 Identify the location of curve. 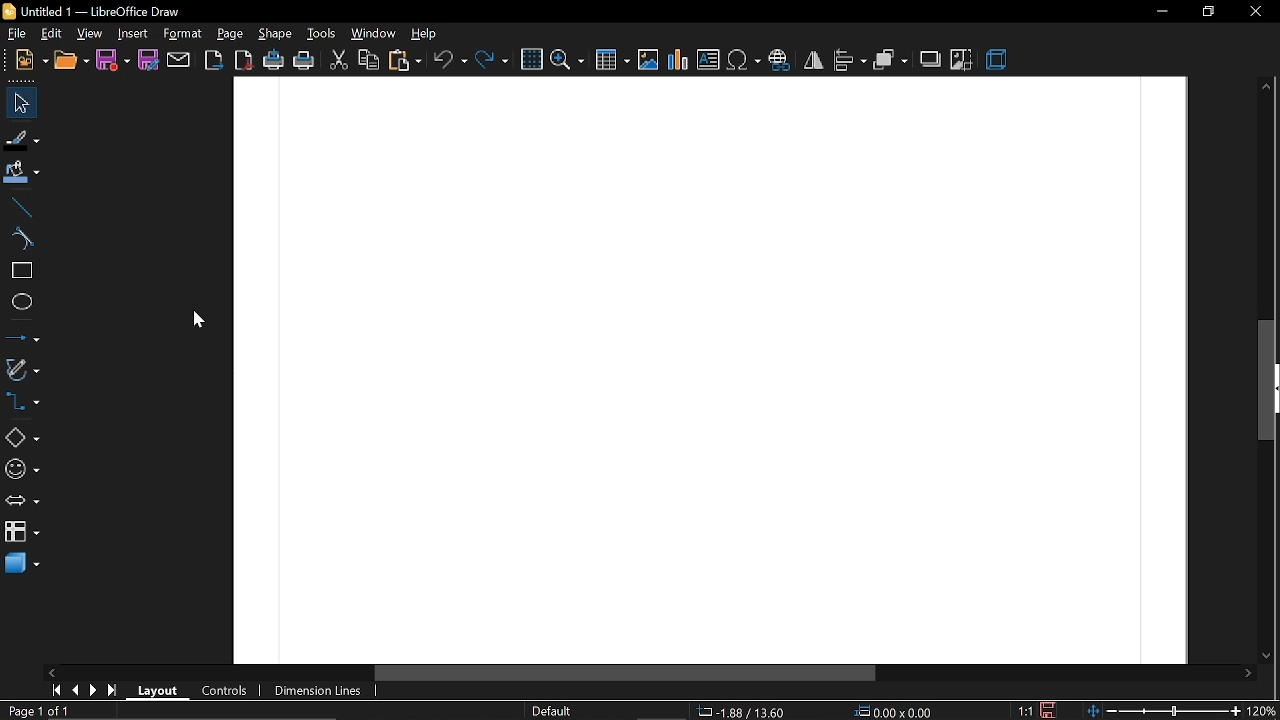
(17, 239).